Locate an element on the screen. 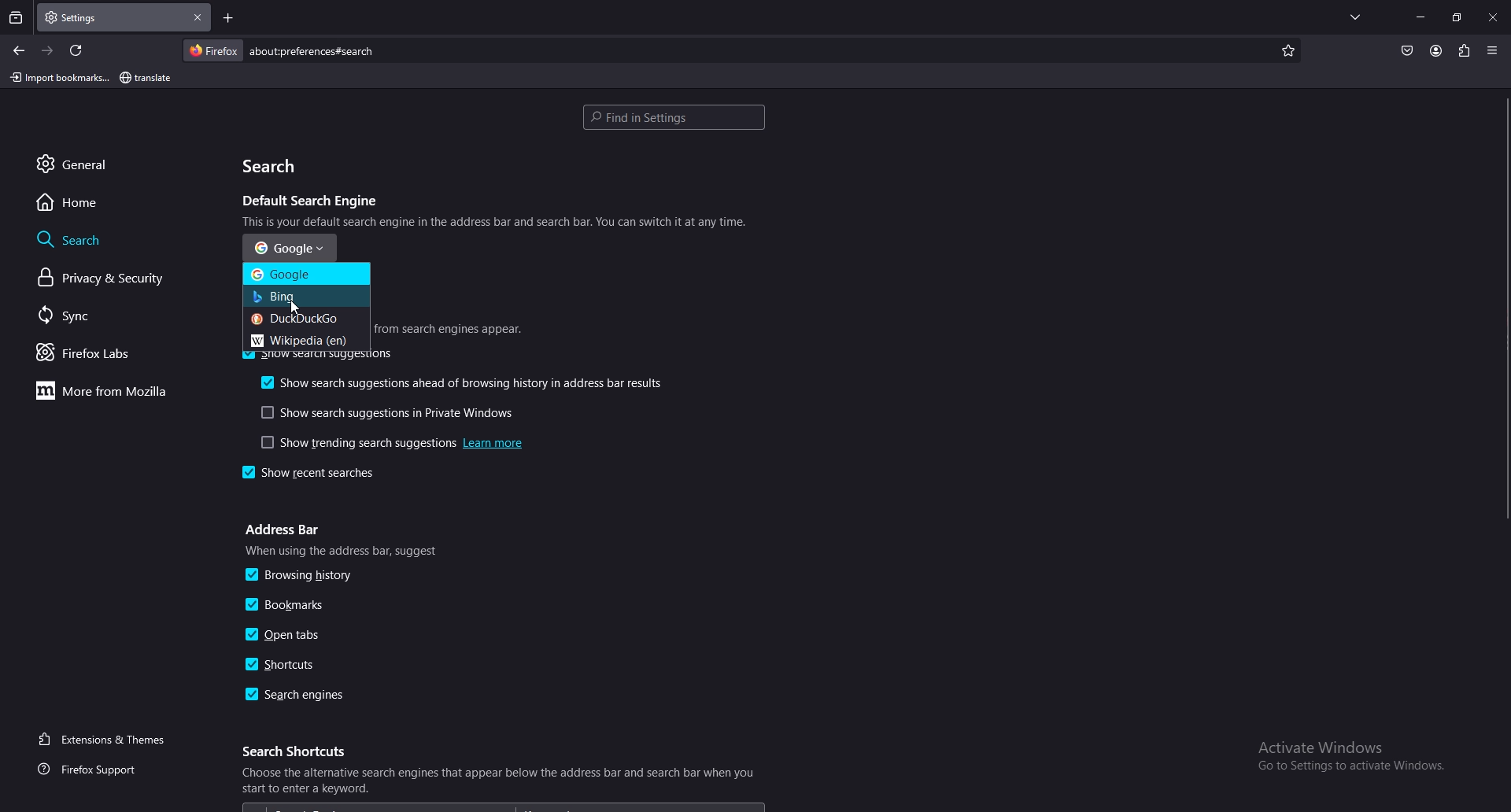 The height and width of the screenshot is (812, 1511). show search suggestions ahead of browsing history is located at coordinates (464, 382).